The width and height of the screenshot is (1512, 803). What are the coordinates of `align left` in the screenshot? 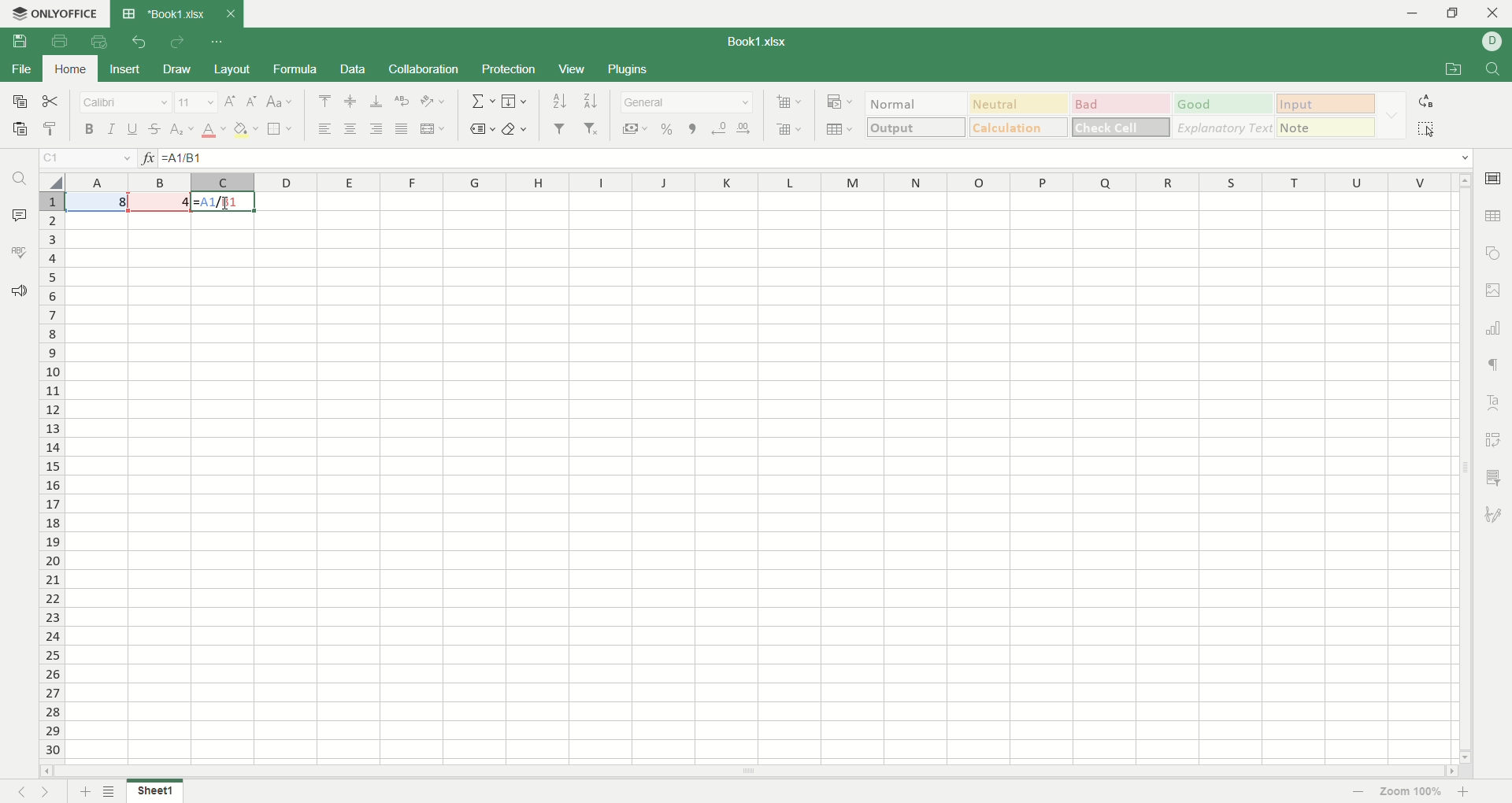 It's located at (375, 130).